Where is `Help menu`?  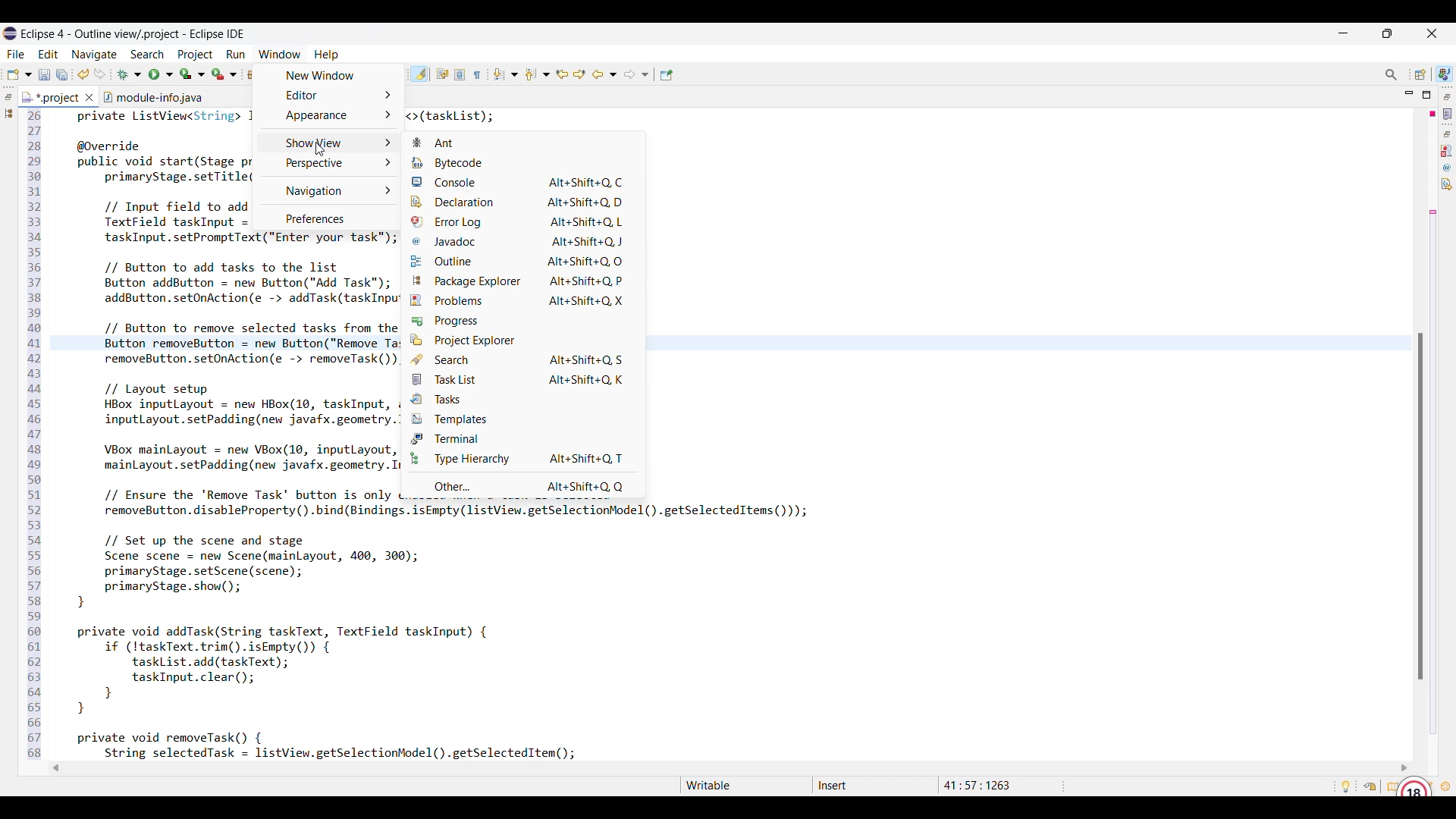
Help menu is located at coordinates (327, 55).